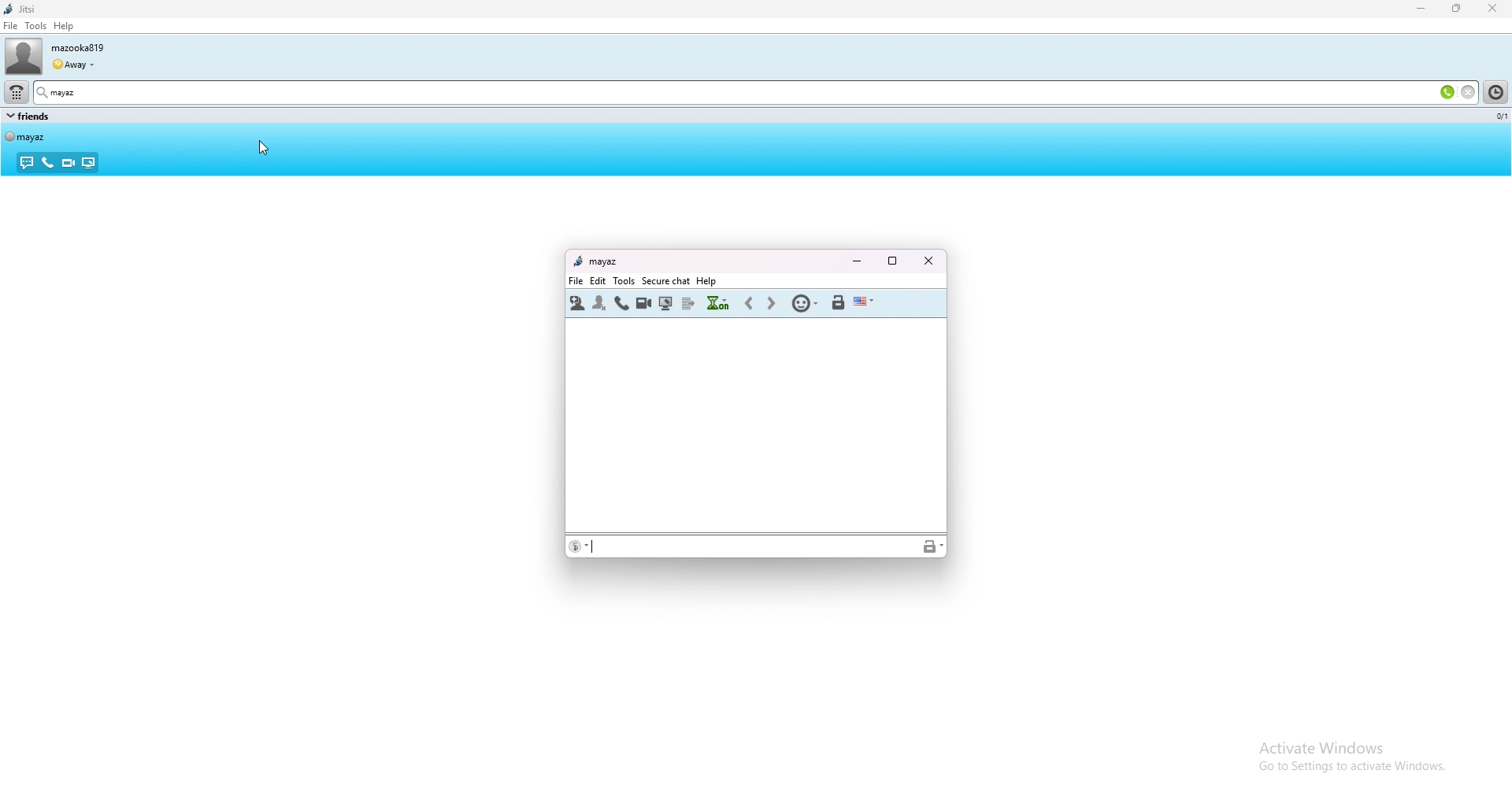 The image size is (1512, 811). I want to click on clear, so click(1468, 91).